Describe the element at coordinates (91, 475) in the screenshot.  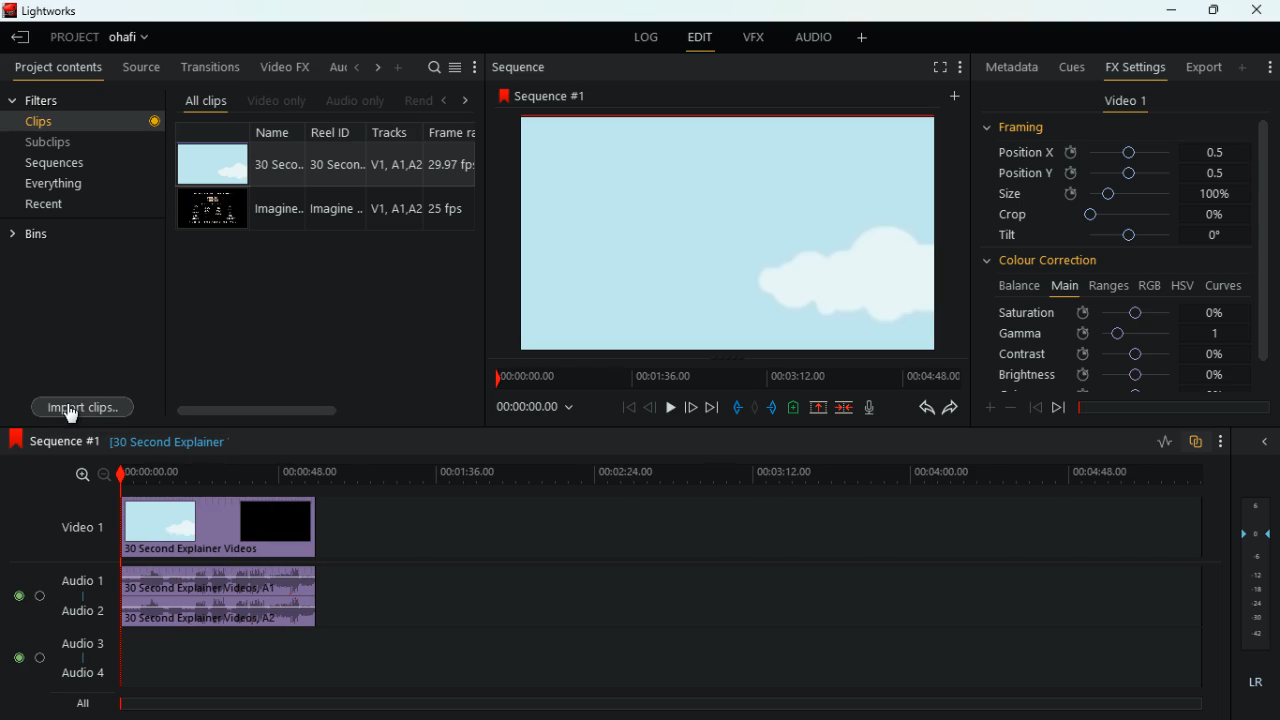
I see `zoom` at that location.